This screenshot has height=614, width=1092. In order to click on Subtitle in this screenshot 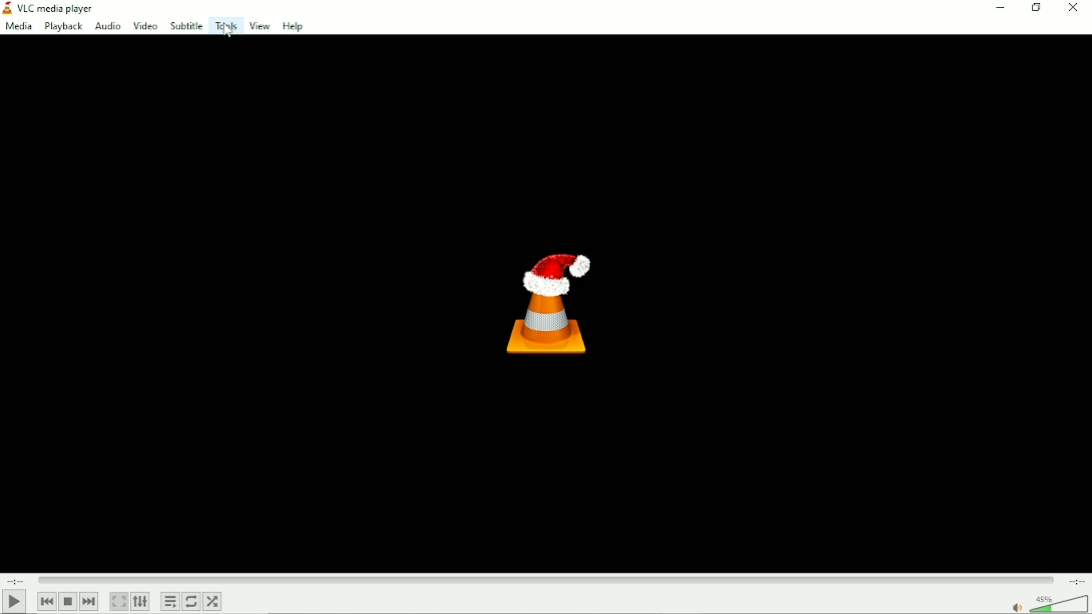, I will do `click(186, 26)`.